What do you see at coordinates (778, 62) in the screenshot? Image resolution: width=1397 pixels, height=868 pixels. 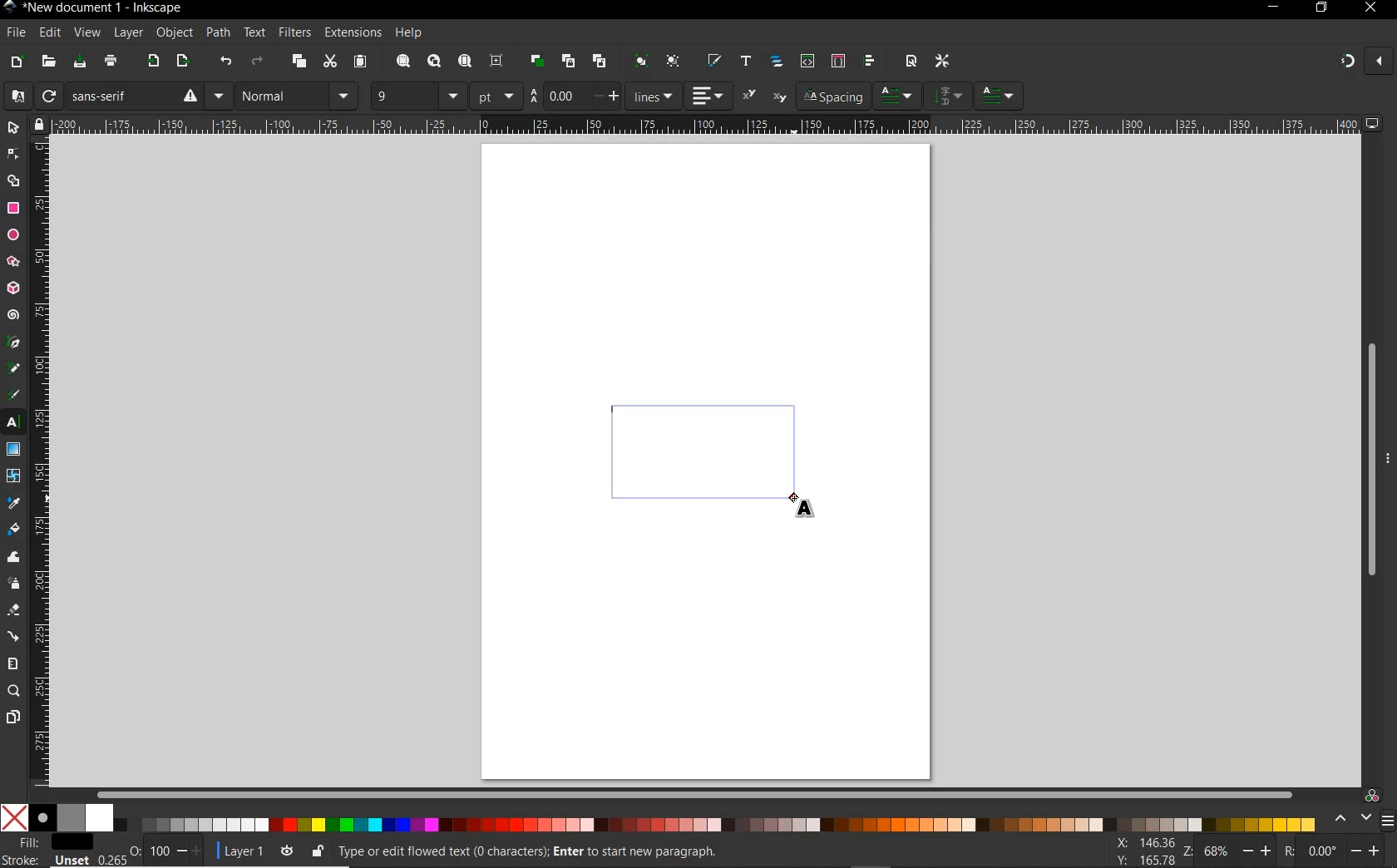 I see `open objects` at bounding box center [778, 62].